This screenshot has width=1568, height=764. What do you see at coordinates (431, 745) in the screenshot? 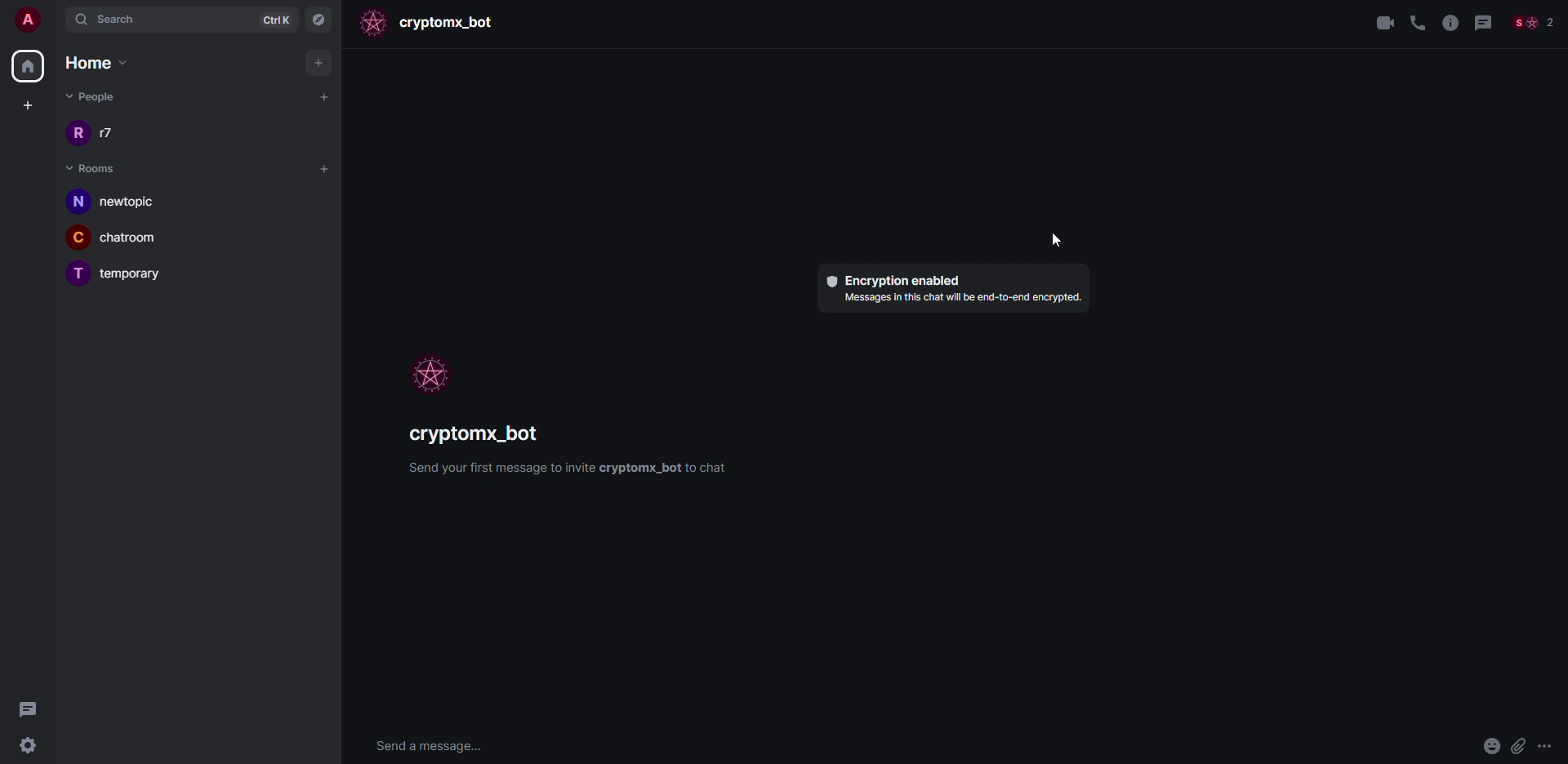
I see `send message` at bounding box center [431, 745].